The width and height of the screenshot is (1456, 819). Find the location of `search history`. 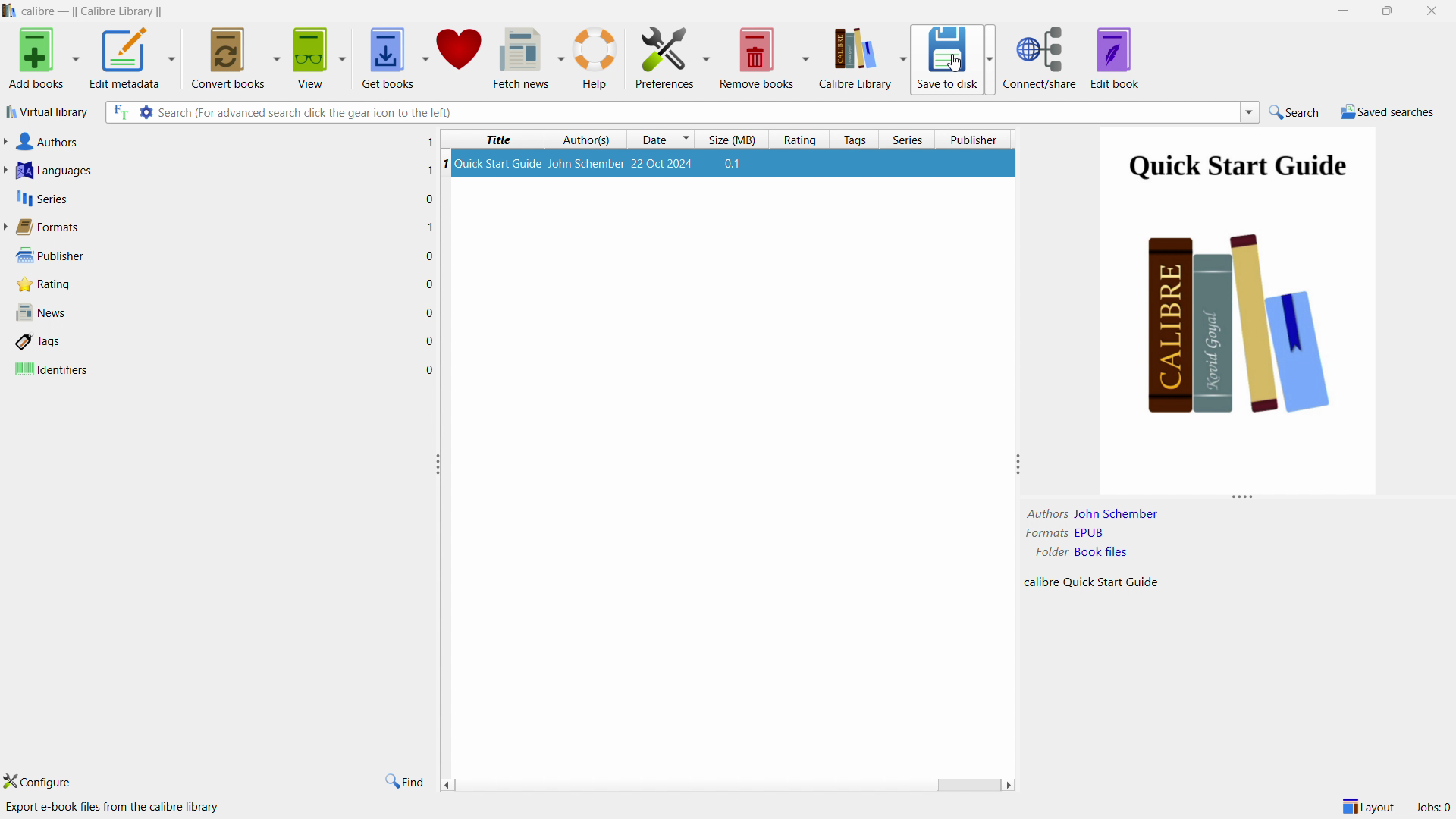

search history is located at coordinates (1249, 111).